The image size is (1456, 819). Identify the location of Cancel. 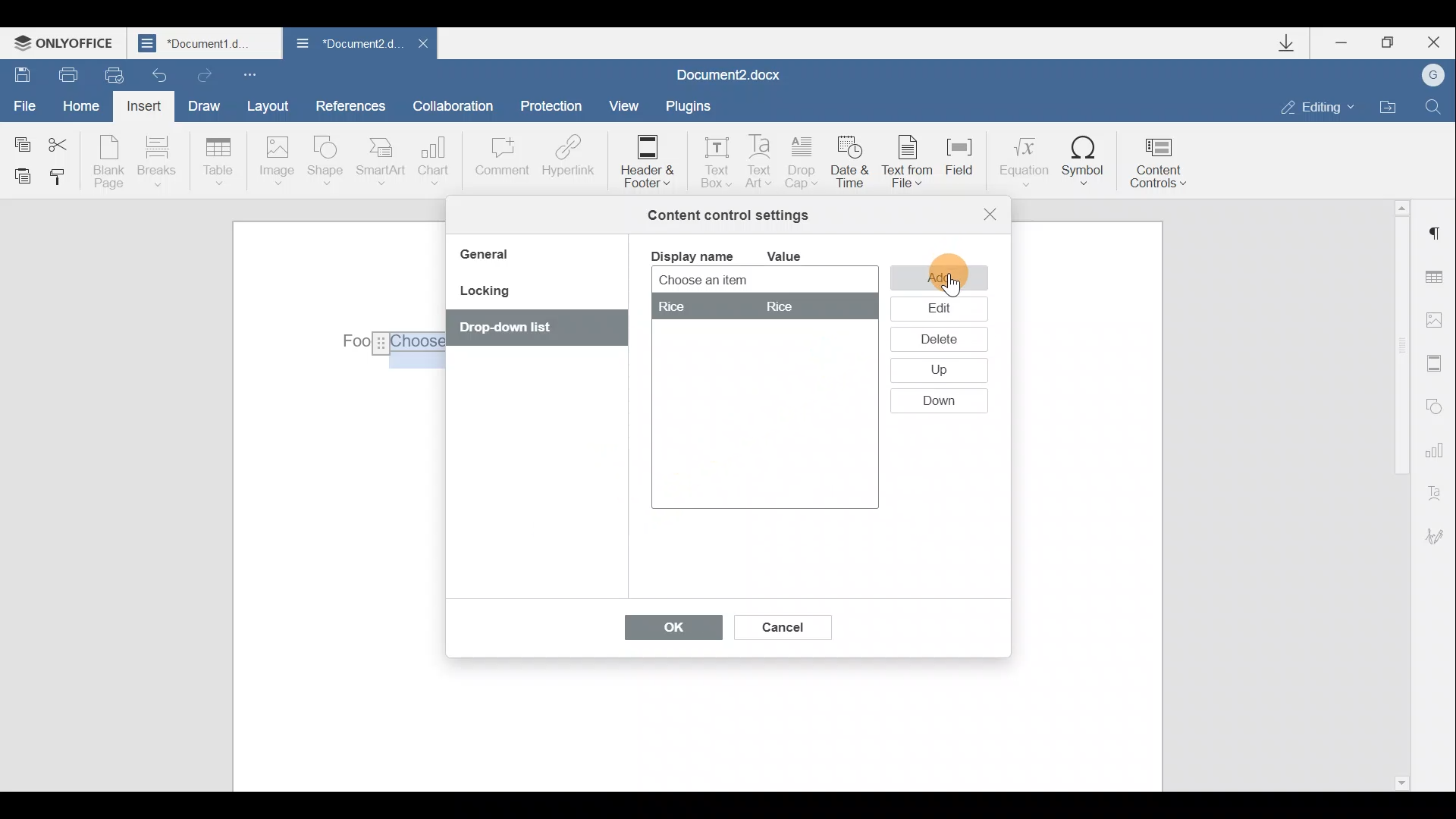
(781, 624).